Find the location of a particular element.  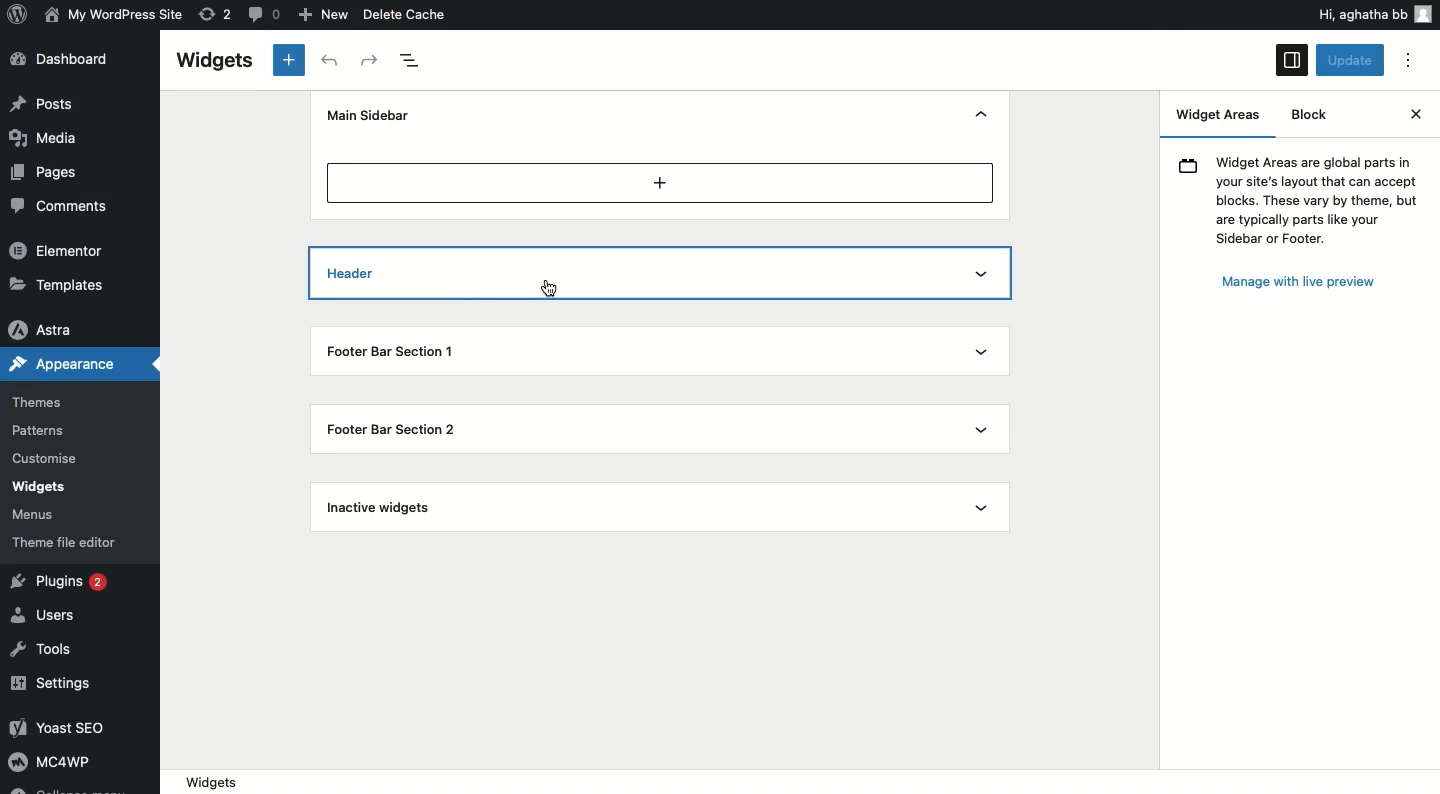

Collapse menu is located at coordinates (66, 788).